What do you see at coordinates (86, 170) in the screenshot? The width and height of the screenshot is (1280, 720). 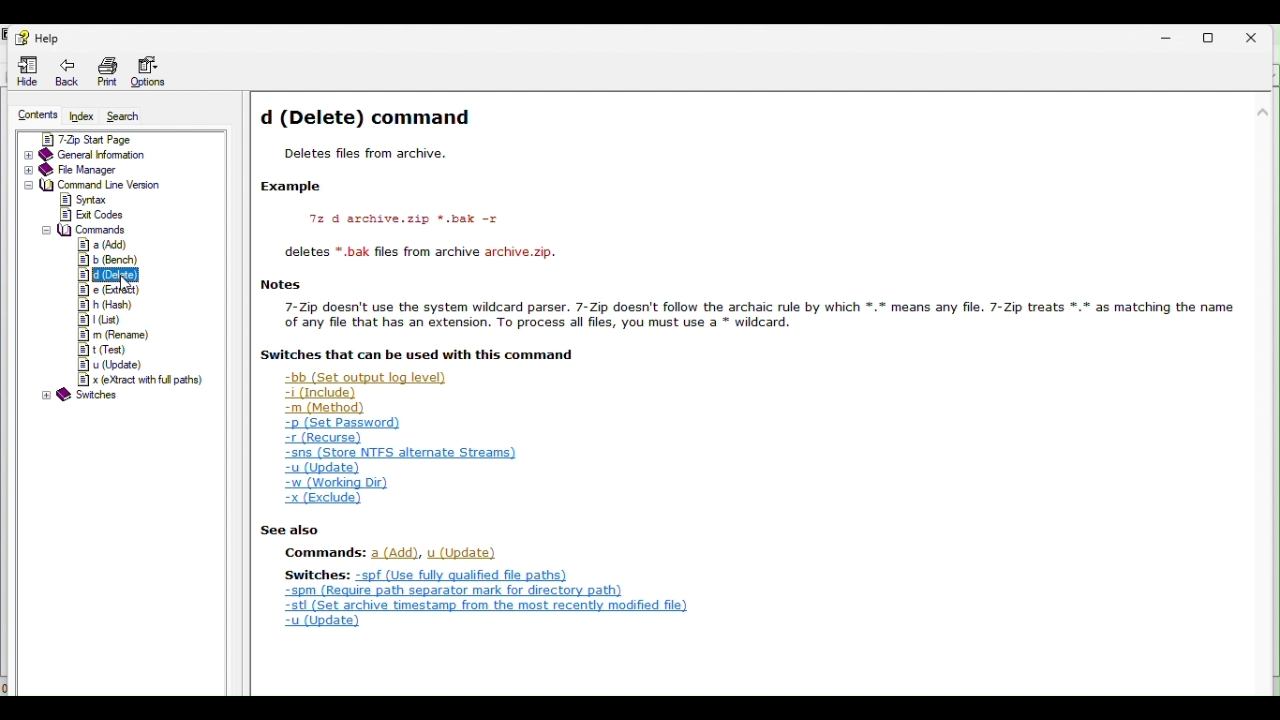 I see `File manager` at bounding box center [86, 170].